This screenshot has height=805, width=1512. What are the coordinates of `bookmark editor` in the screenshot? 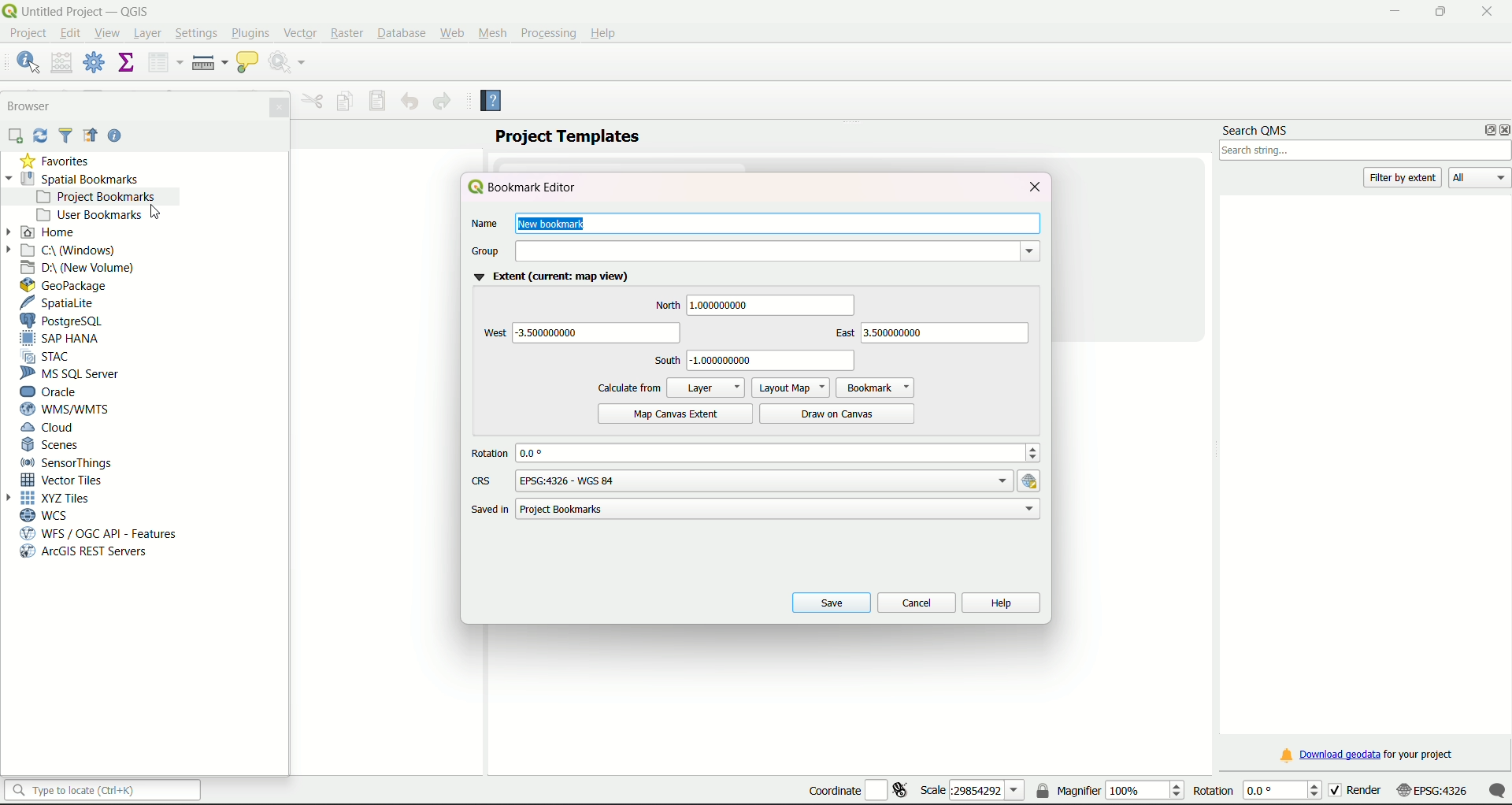 It's located at (524, 187).